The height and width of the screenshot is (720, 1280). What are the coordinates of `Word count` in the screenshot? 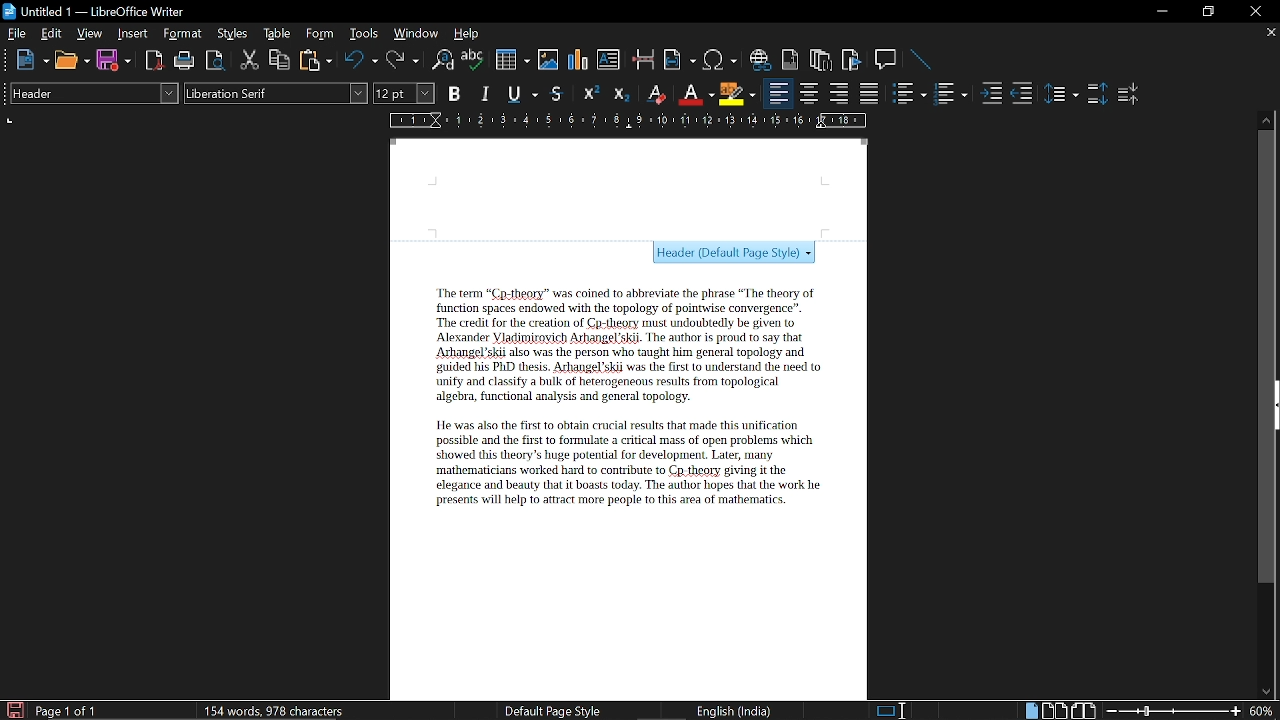 It's located at (295, 710).